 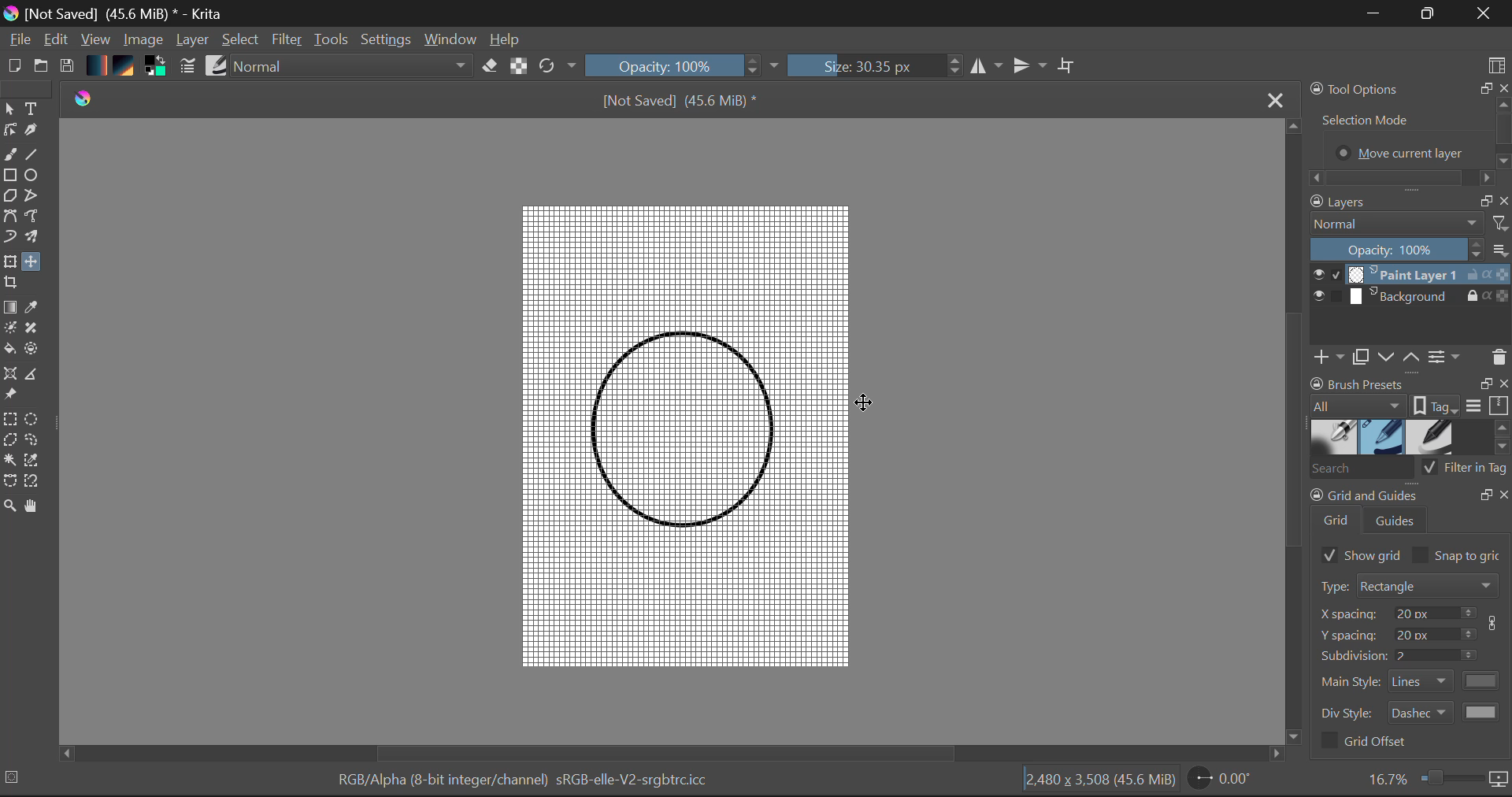 What do you see at coordinates (11, 375) in the screenshot?
I see `Assistant Tool` at bounding box center [11, 375].